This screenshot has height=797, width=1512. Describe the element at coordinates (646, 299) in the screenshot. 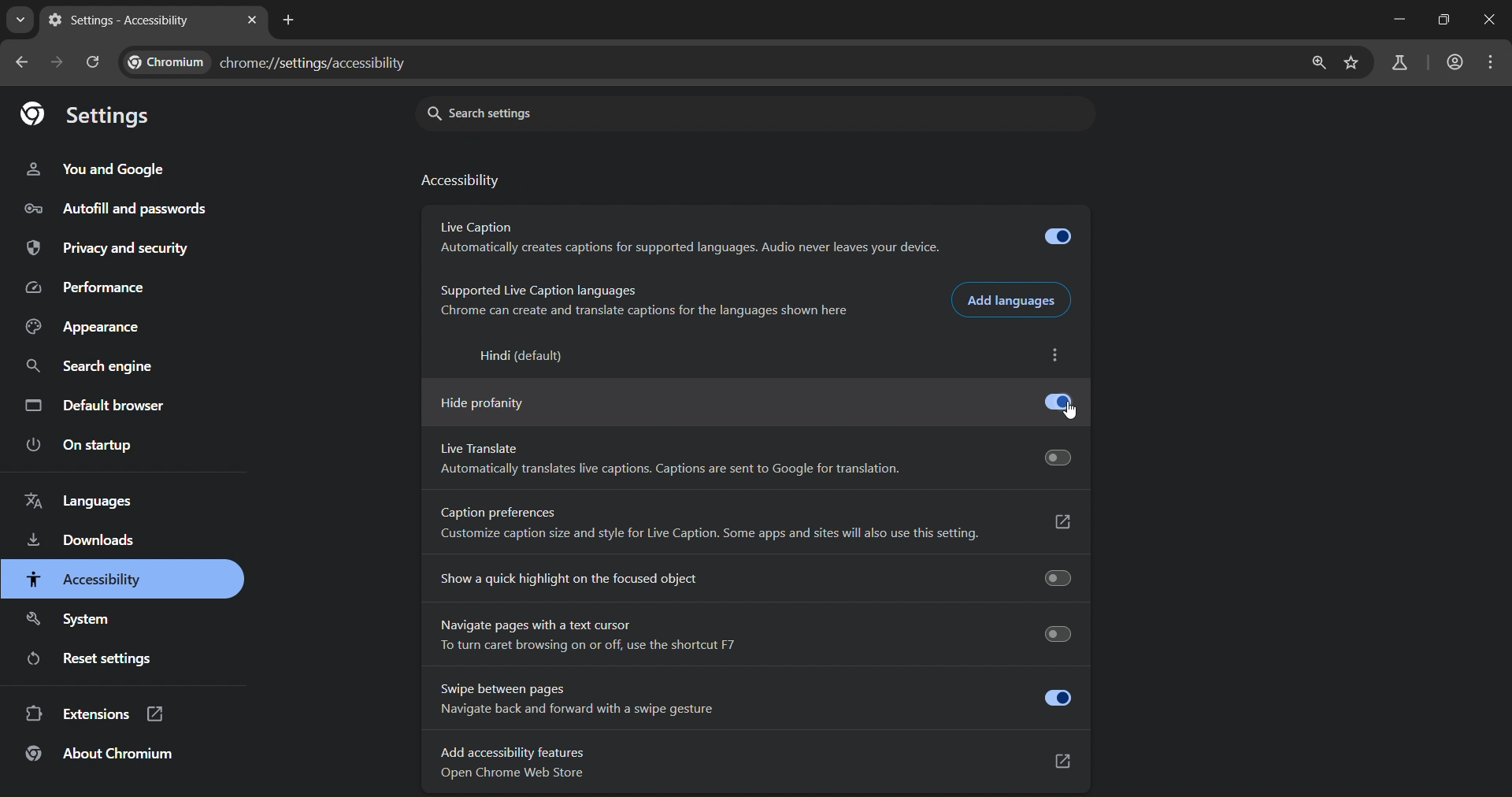

I see `Supported Live Caption languages
Chrome can create and translate captions for the languages shown here` at that location.